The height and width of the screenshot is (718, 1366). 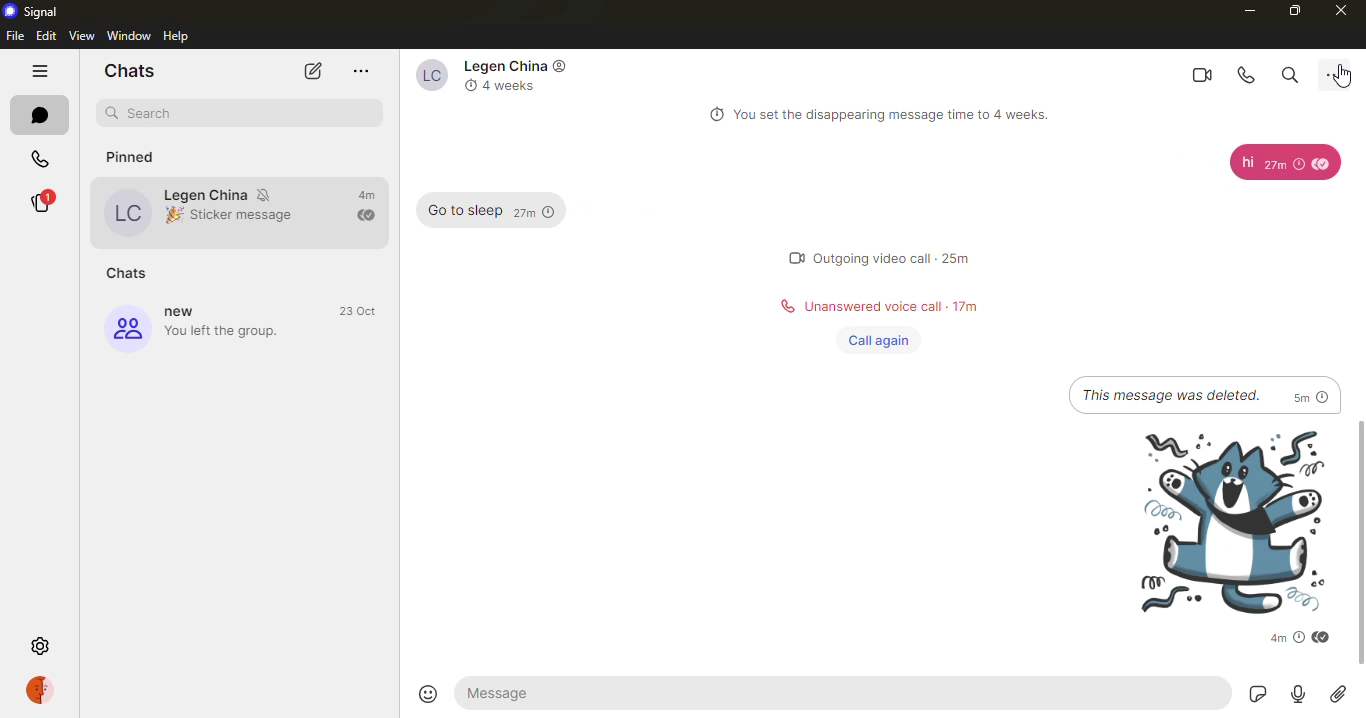 I want to click on chats, so click(x=131, y=272).